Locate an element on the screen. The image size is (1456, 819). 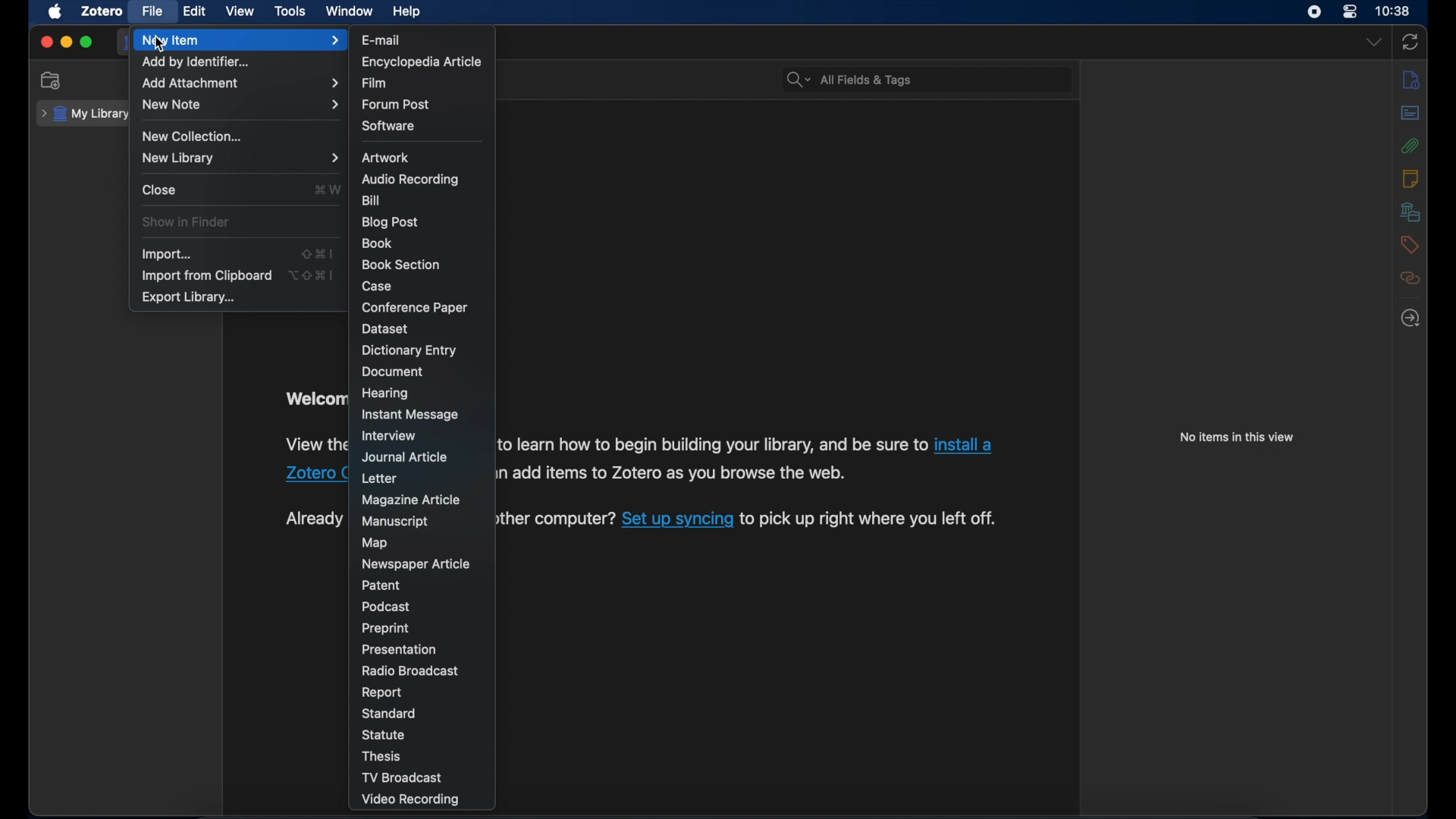
no items in this view is located at coordinates (1237, 437).